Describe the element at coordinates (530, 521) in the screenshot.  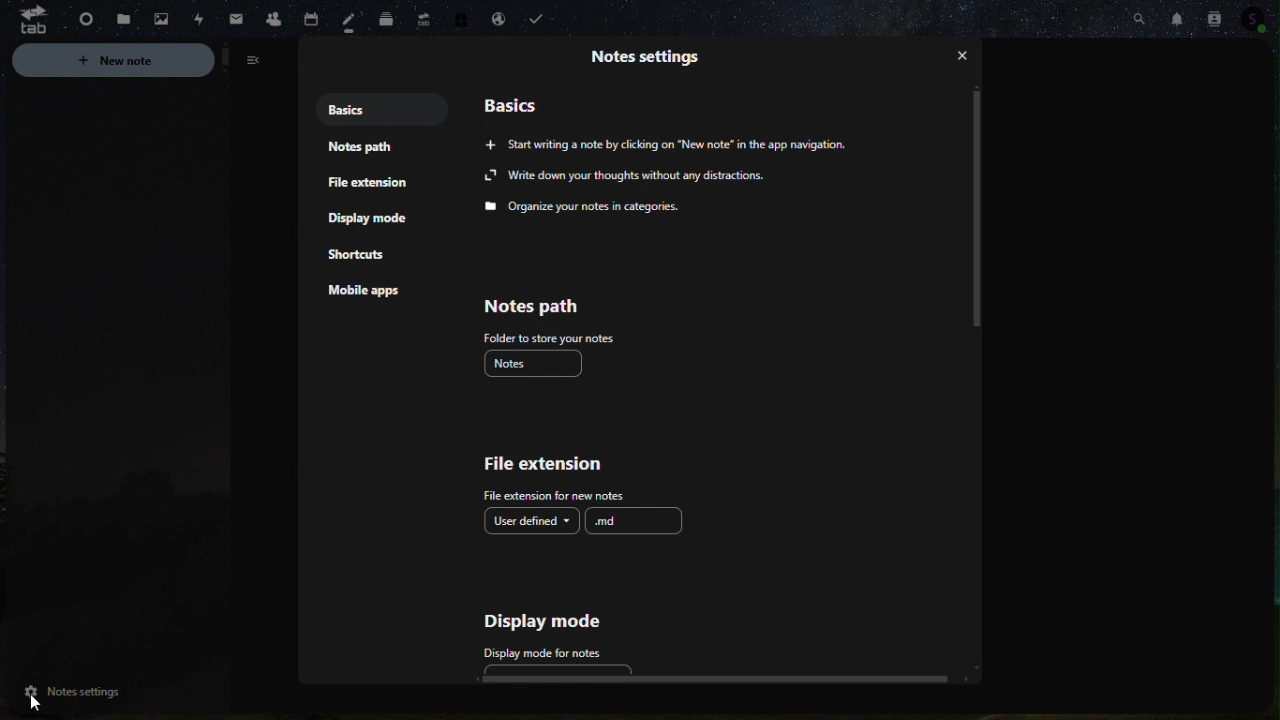
I see `user defined` at that location.